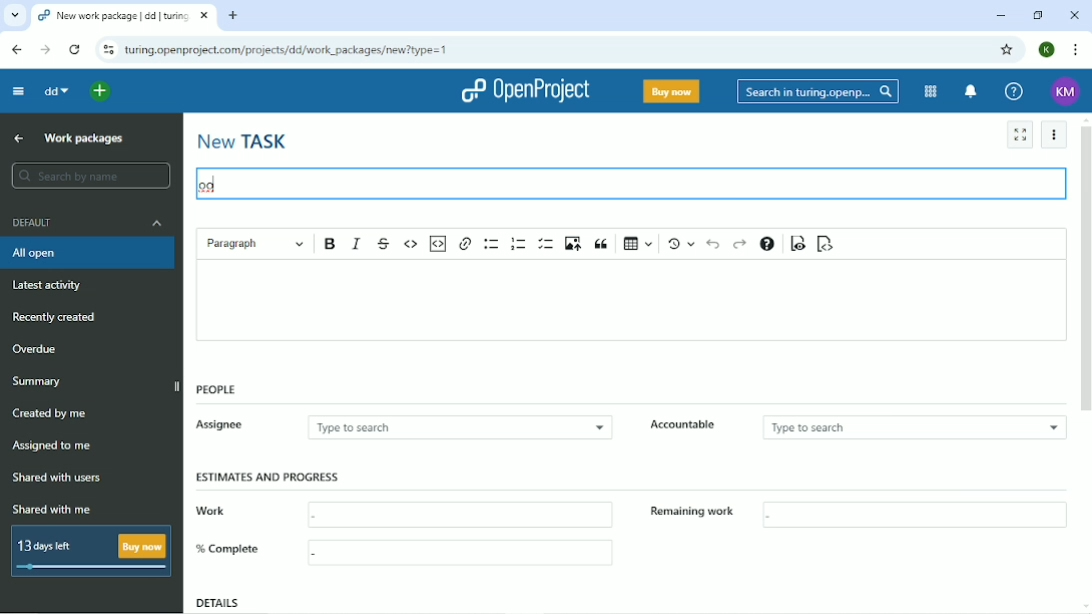 Image resolution: width=1092 pixels, height=614 pixels. Describe the element at coordinates (929, 91) in the screenshot. I see `Modules` at that location.